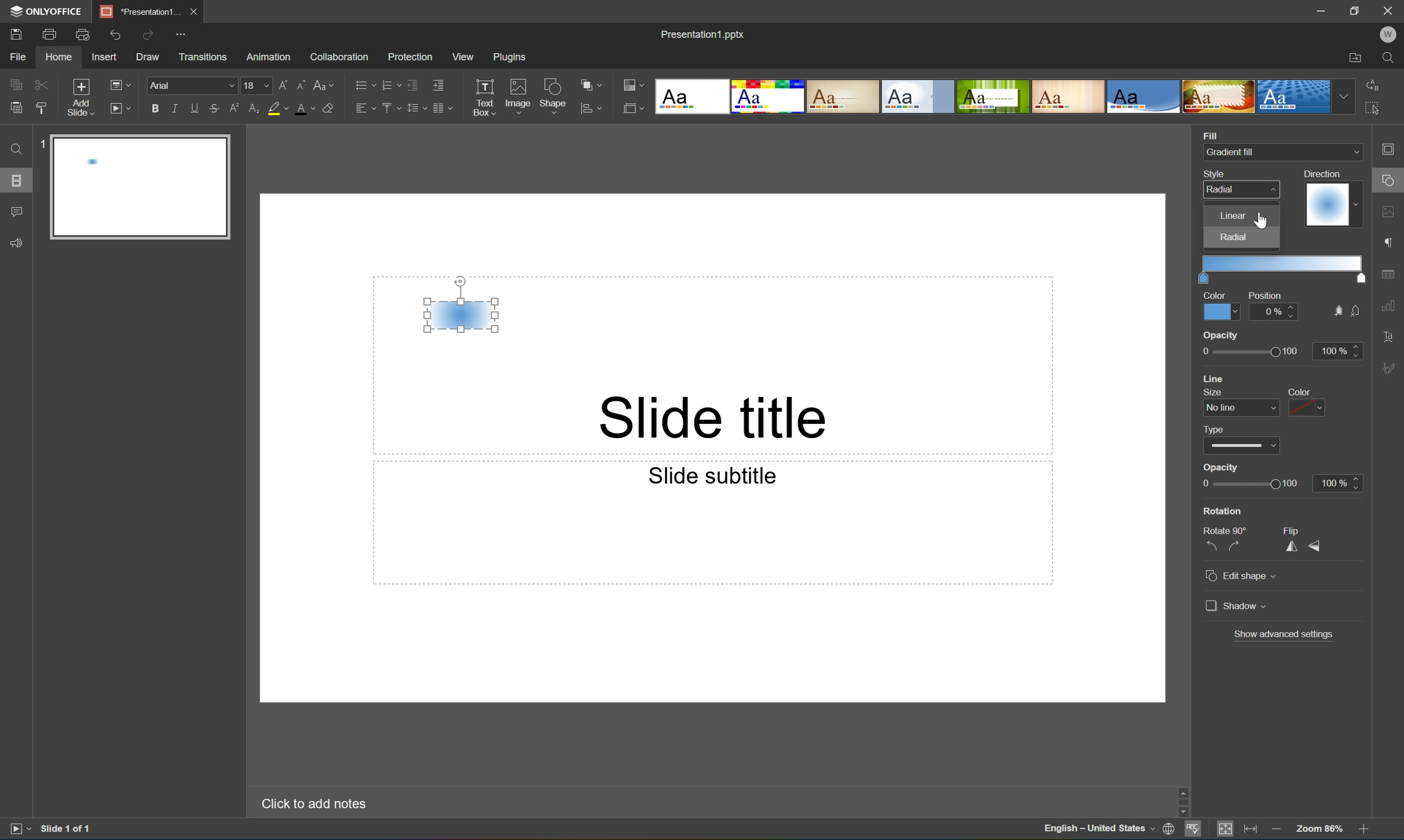 Image resolution: width=1404 pixels, height=840 pixels. I want to click on Add slide, so click(78, 98).